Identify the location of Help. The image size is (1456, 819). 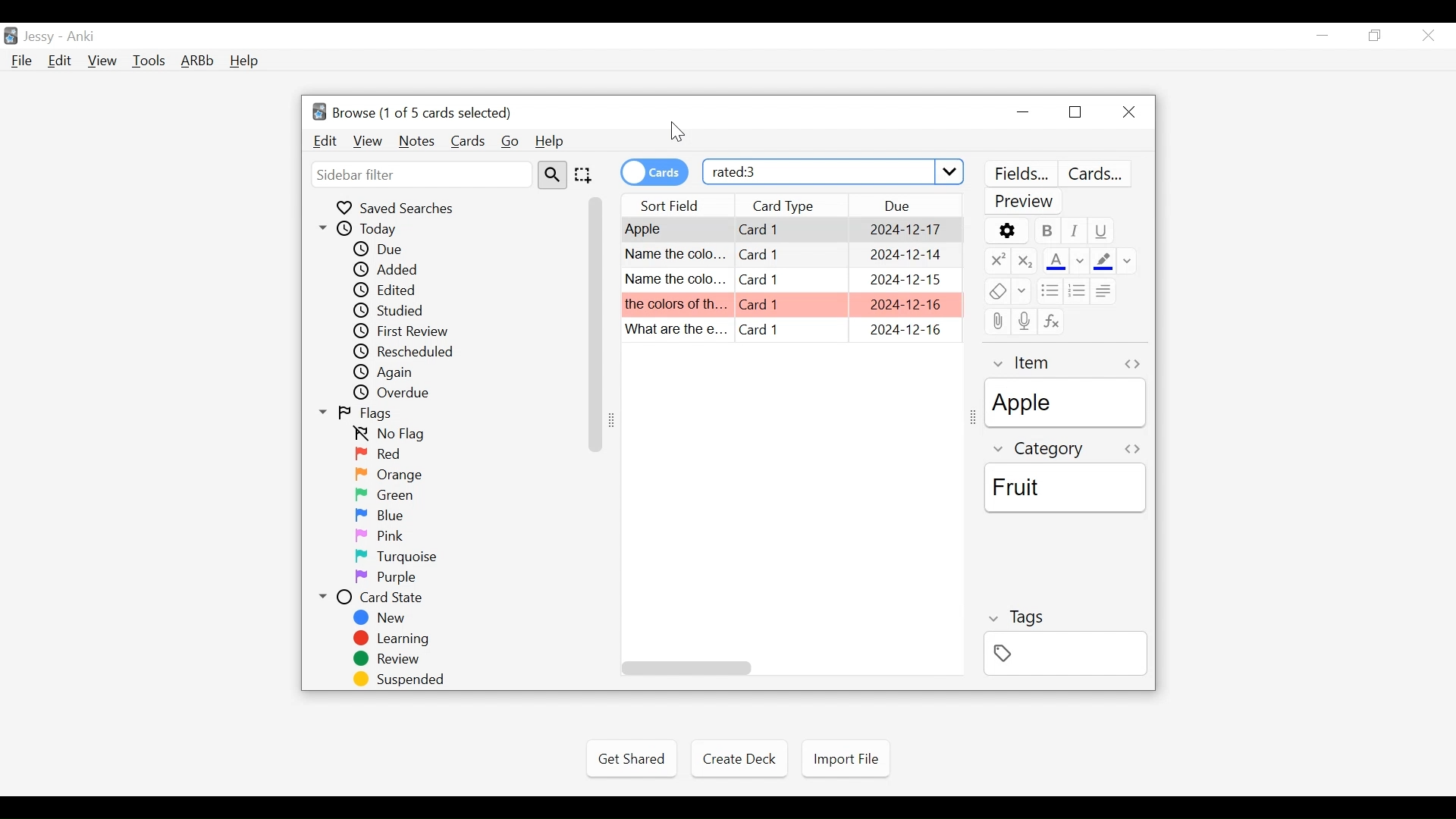
(554, 142).